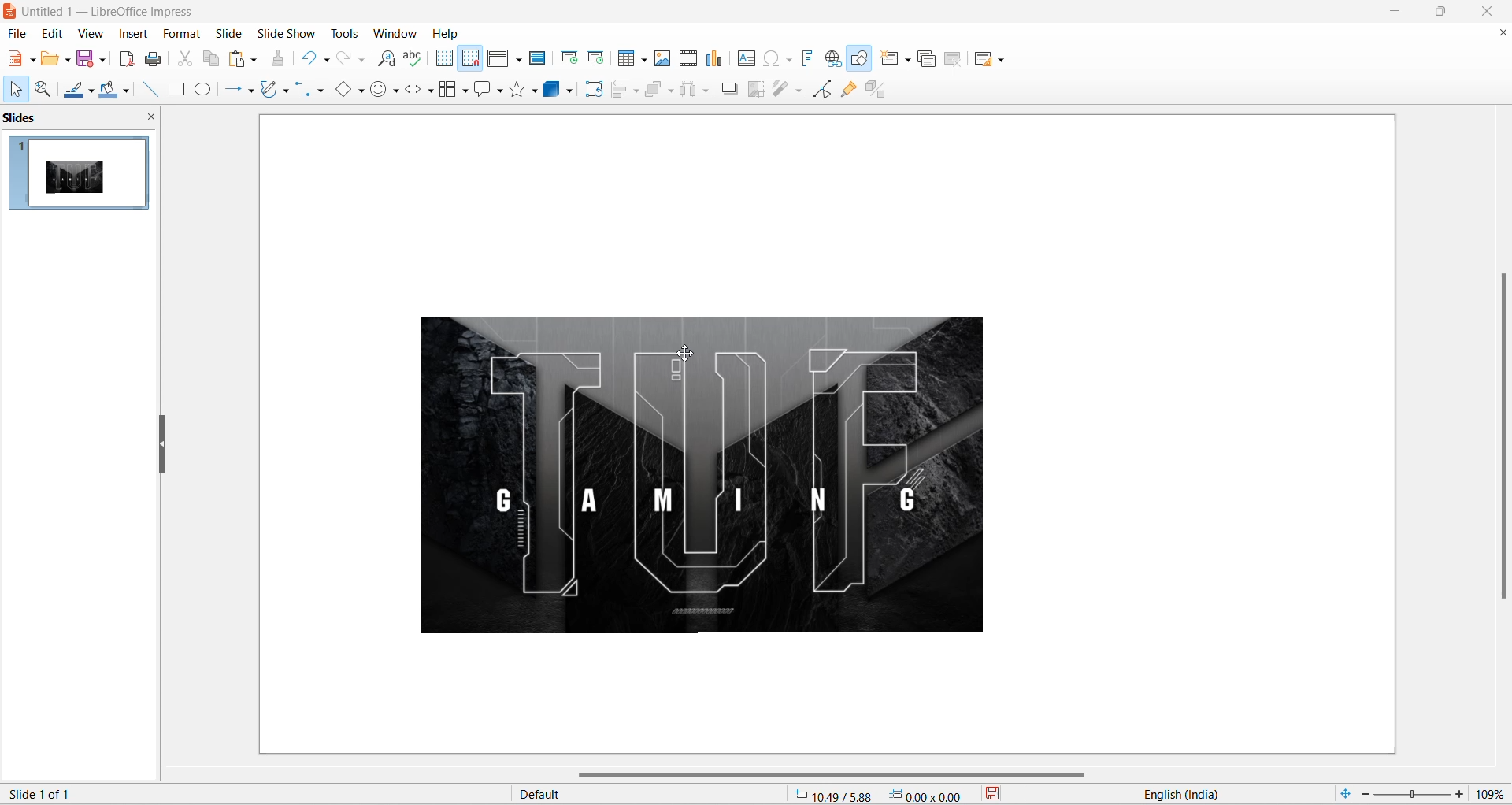  What do you see at coordinates (744, 58) in the screenshot?
I see `insert text` at bounding box center [744, 58].